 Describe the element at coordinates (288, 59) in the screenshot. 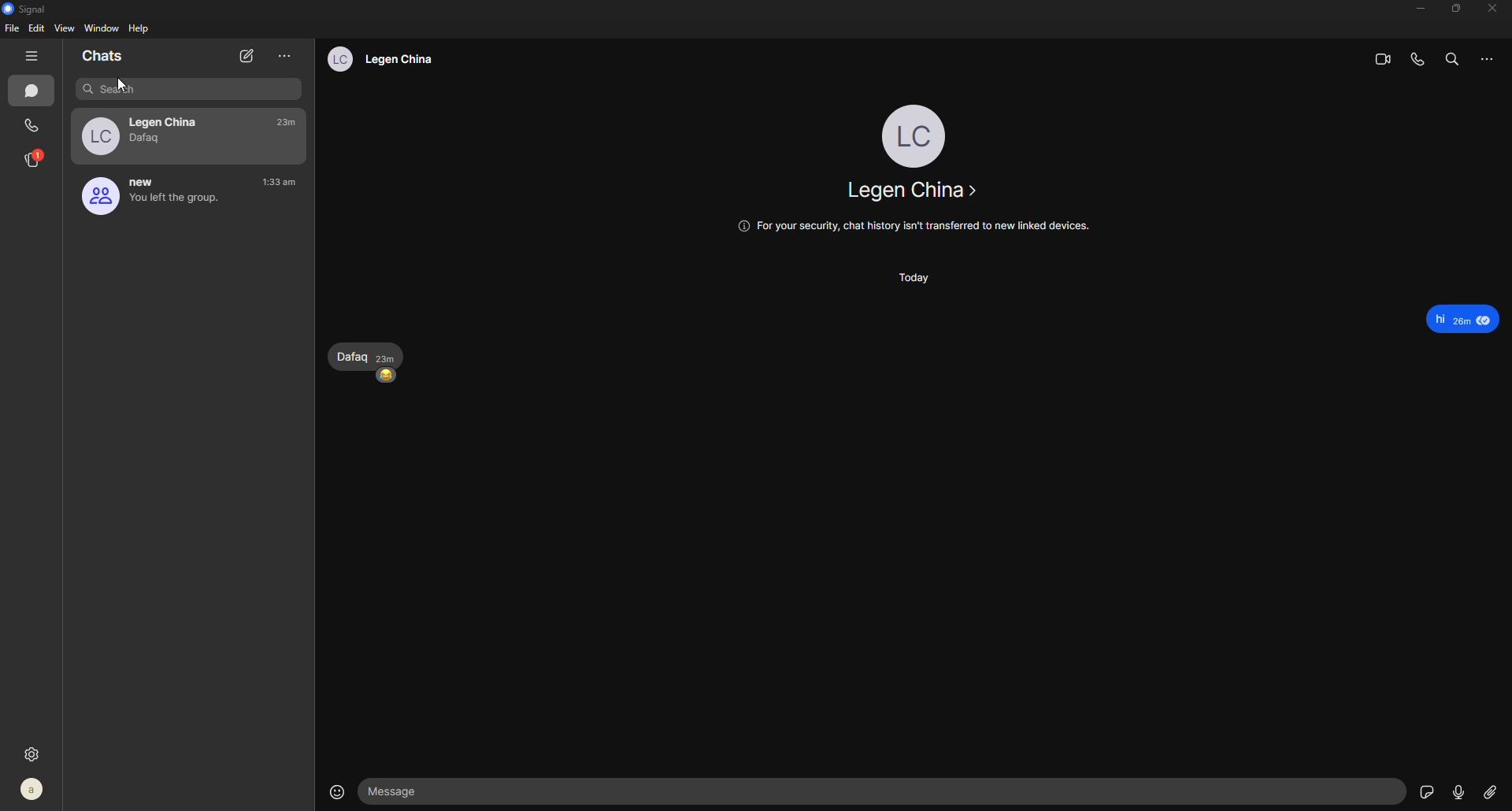

I see `more` at that location.